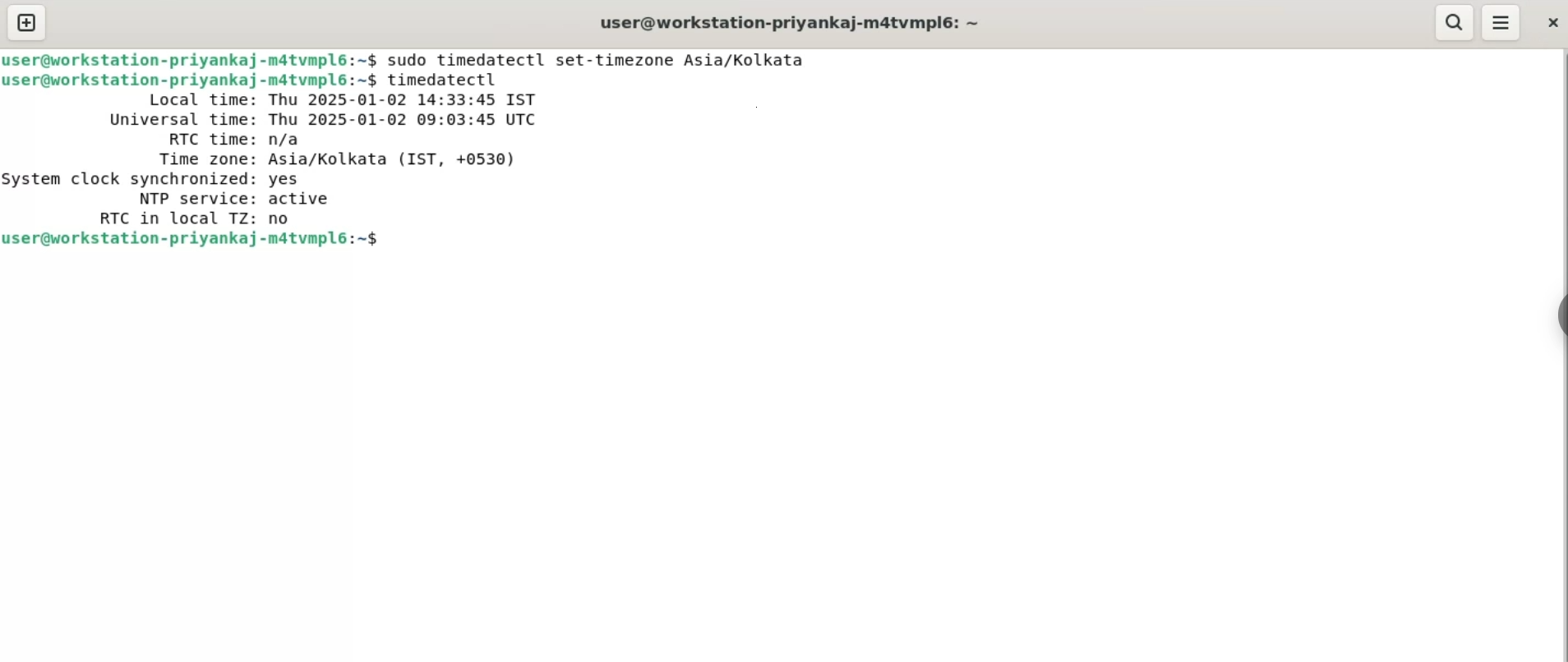 The height and width of the screenshot is (662, 1568). Describe the element at coordinates (1501, 23) in the screenshot. I see `menu` at that location.